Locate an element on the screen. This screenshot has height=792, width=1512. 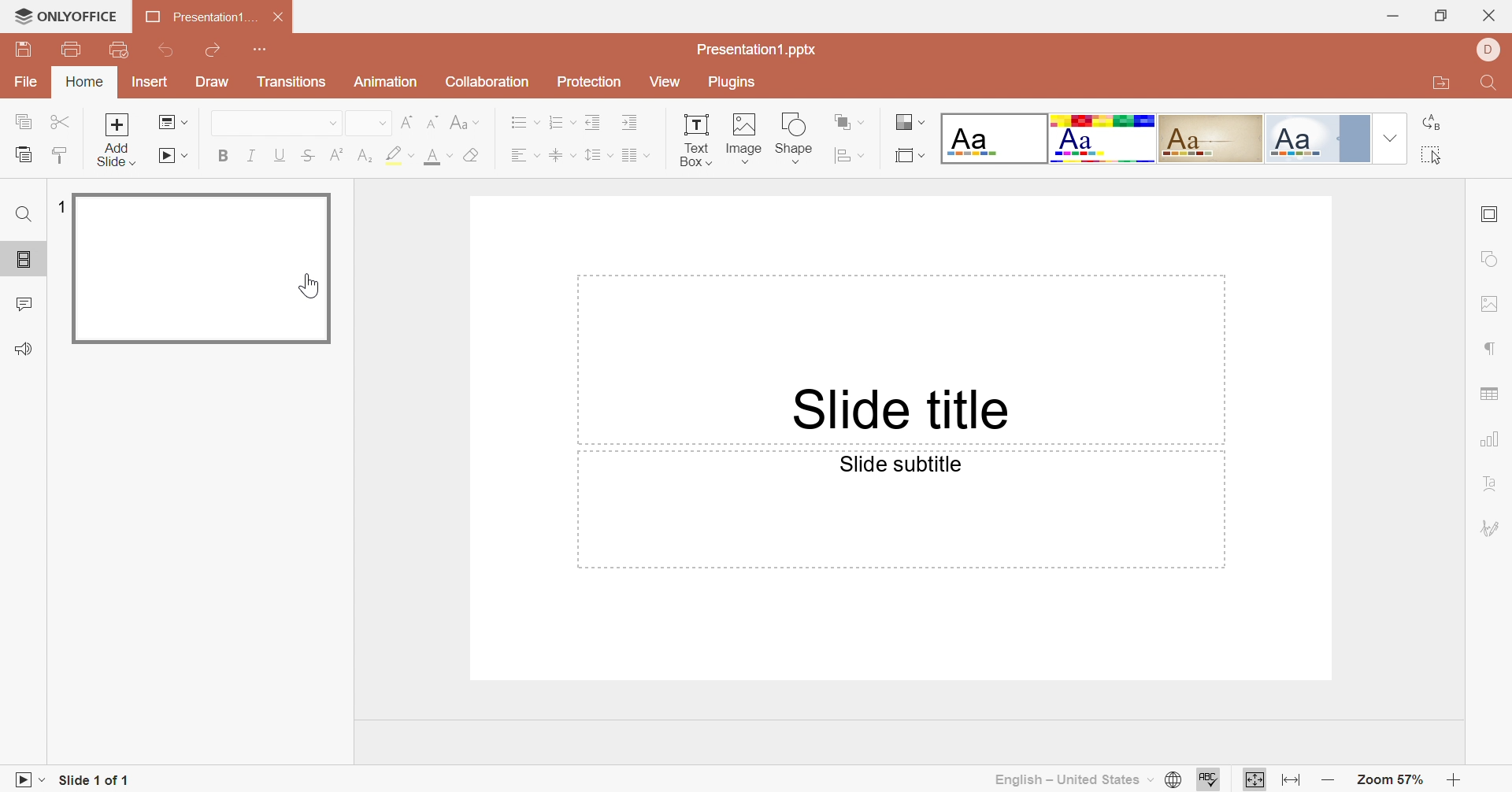
Signature settings is located at coordinates (1491, 530).